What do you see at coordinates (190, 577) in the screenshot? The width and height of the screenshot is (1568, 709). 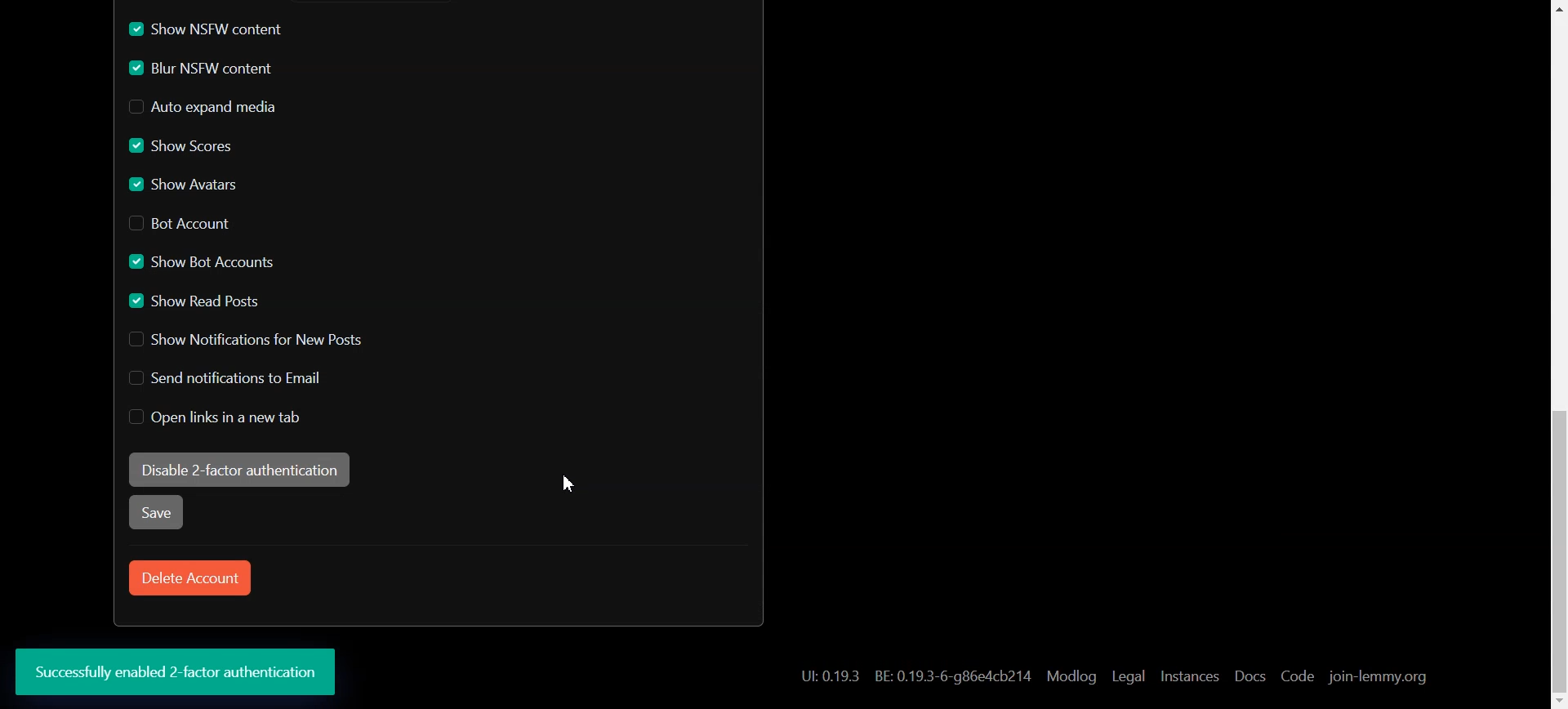 I see `Delete Account` at bounding box center [190, 577].